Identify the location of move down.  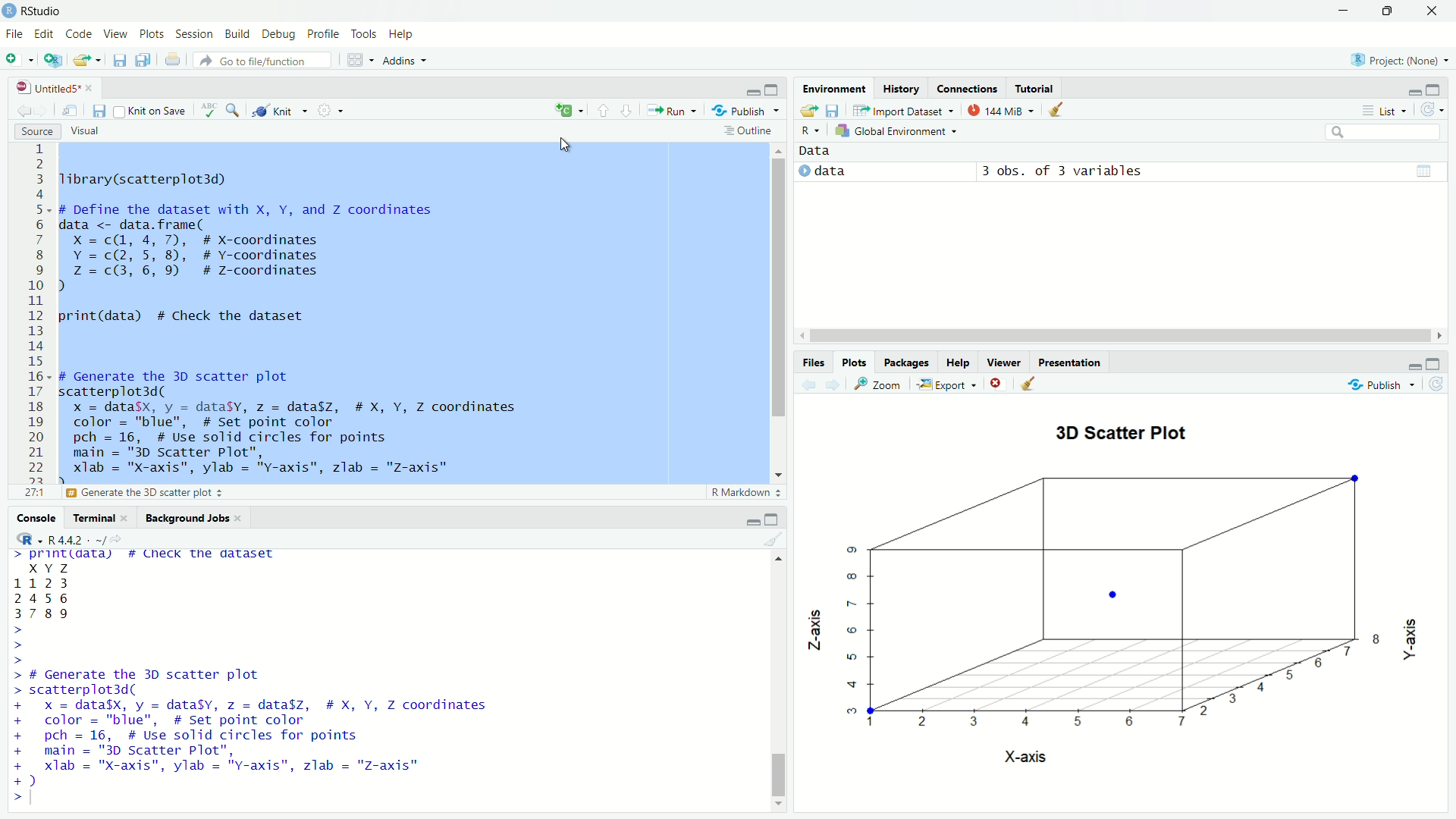
(781, 472).